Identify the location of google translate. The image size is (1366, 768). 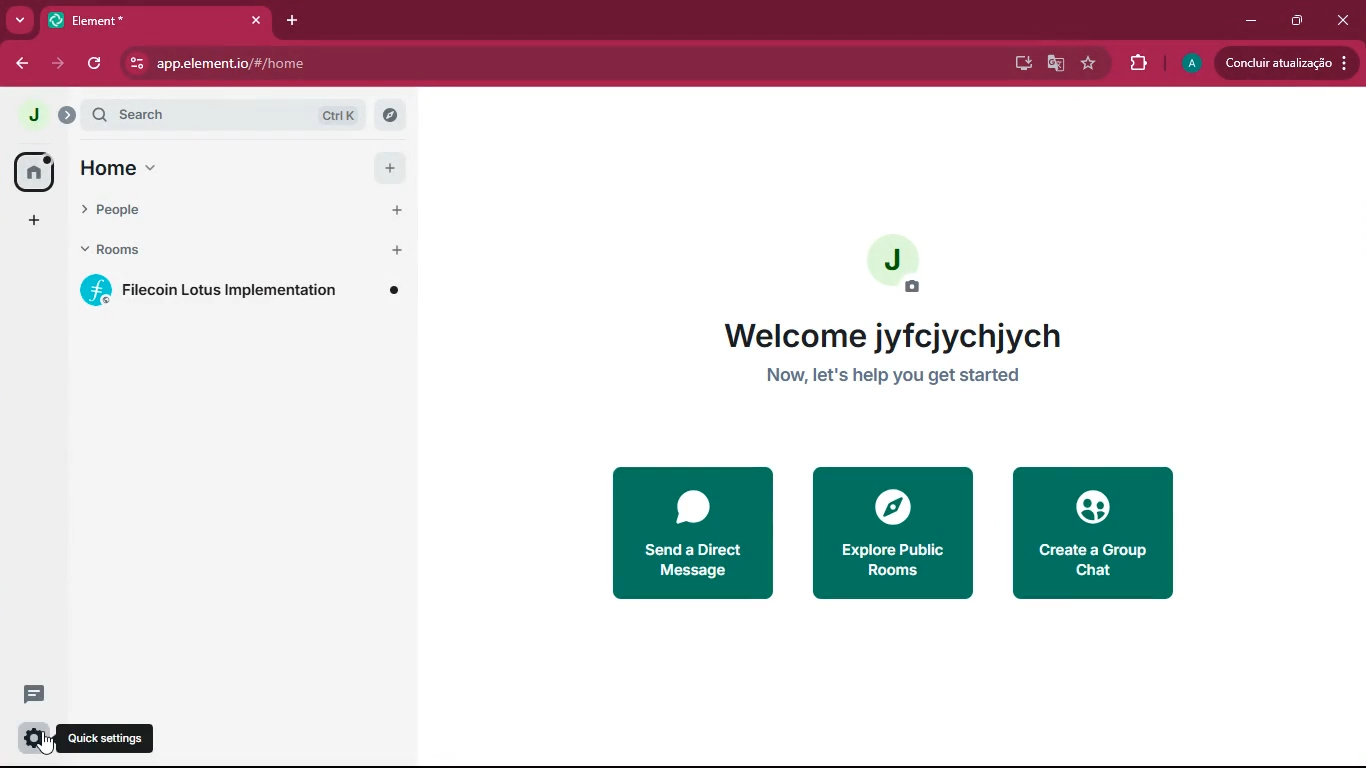
(1054, 66).